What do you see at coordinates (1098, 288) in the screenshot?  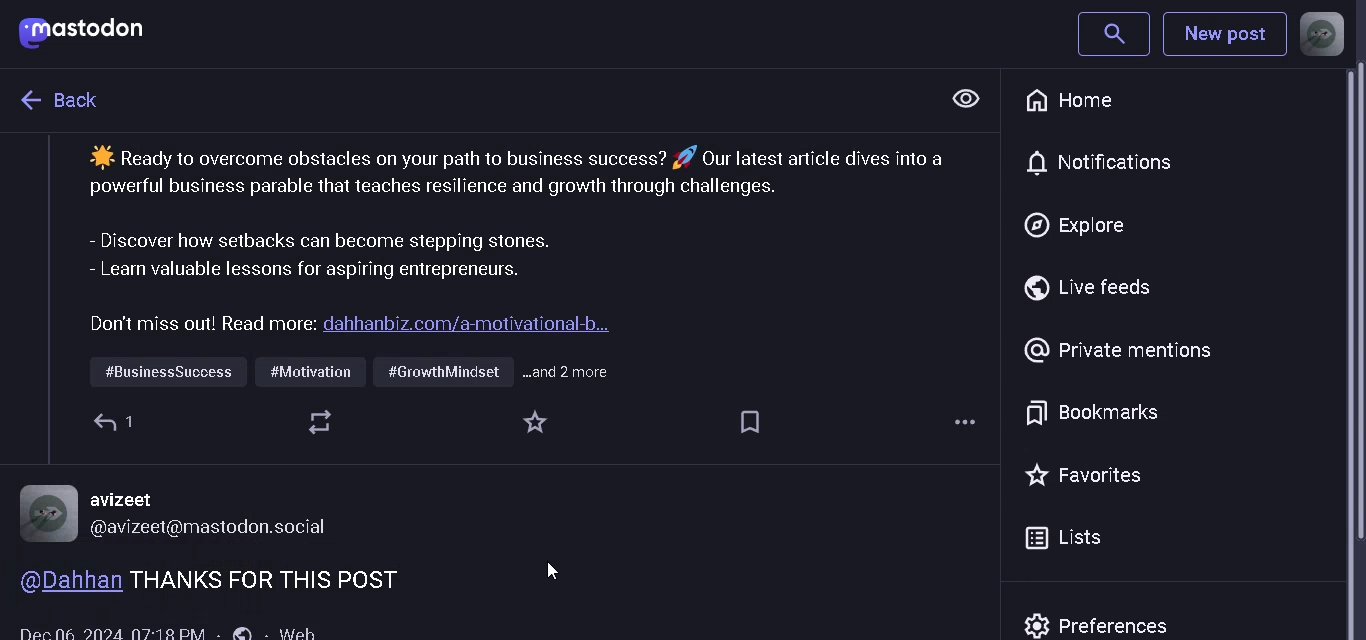 I see `live feeds` at bounding box center [1098, 288].